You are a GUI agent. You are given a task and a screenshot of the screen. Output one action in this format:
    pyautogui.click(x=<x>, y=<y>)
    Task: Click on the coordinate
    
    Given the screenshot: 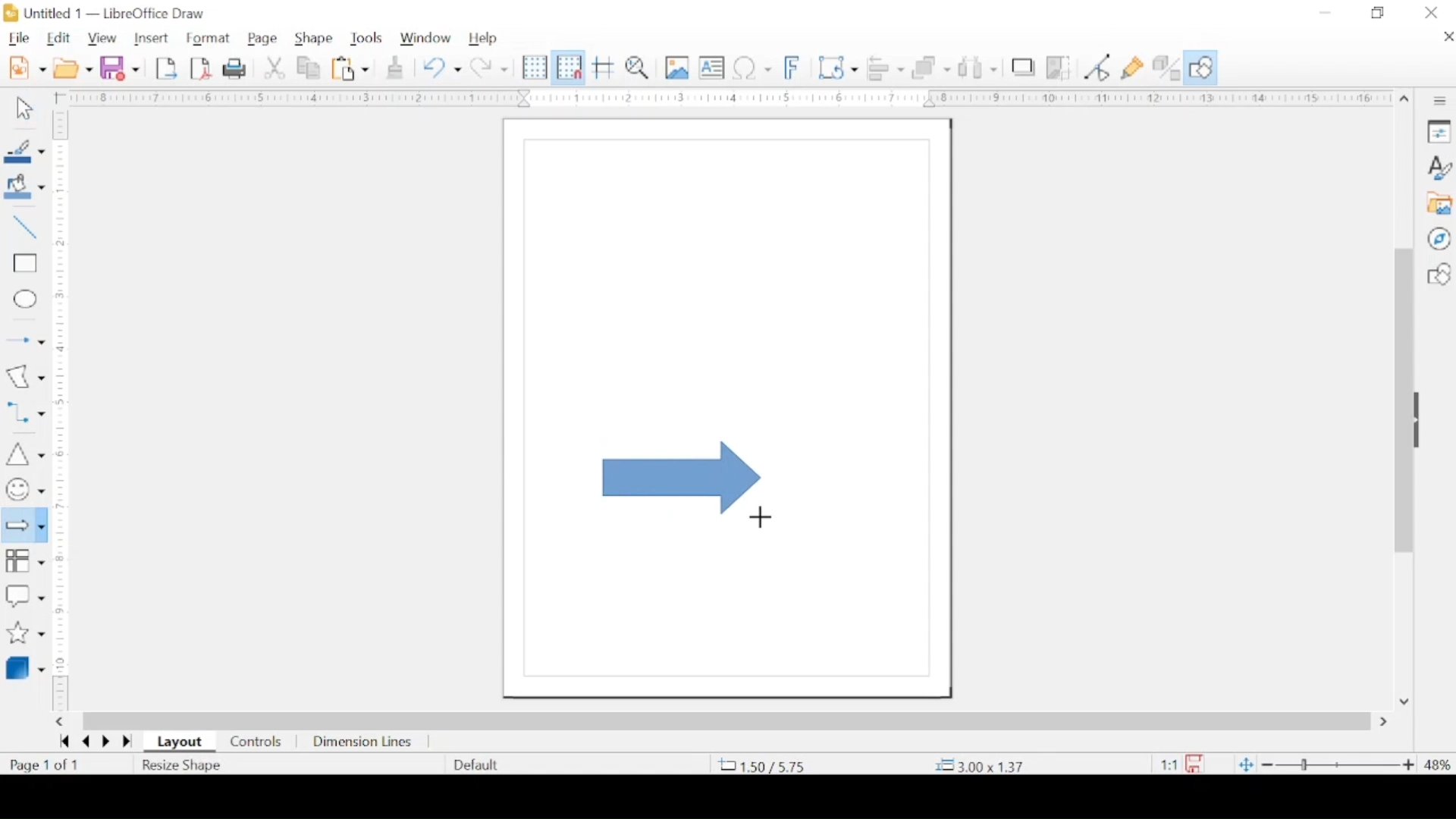 What is the action you would take?
    pyautogui.click(x=761, y=765)
    